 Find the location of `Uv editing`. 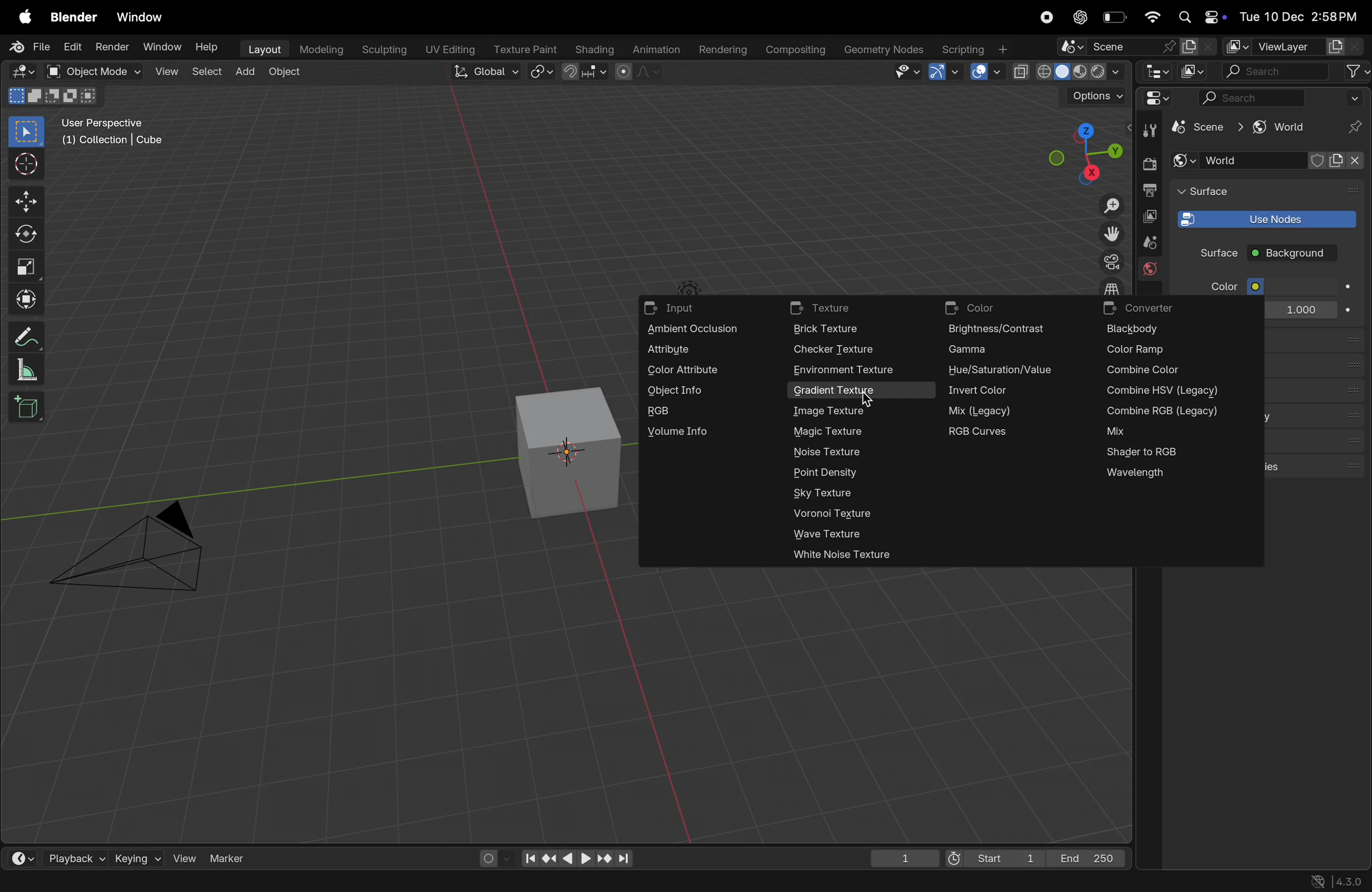

Uv editing is located at coordinates (448, 51).